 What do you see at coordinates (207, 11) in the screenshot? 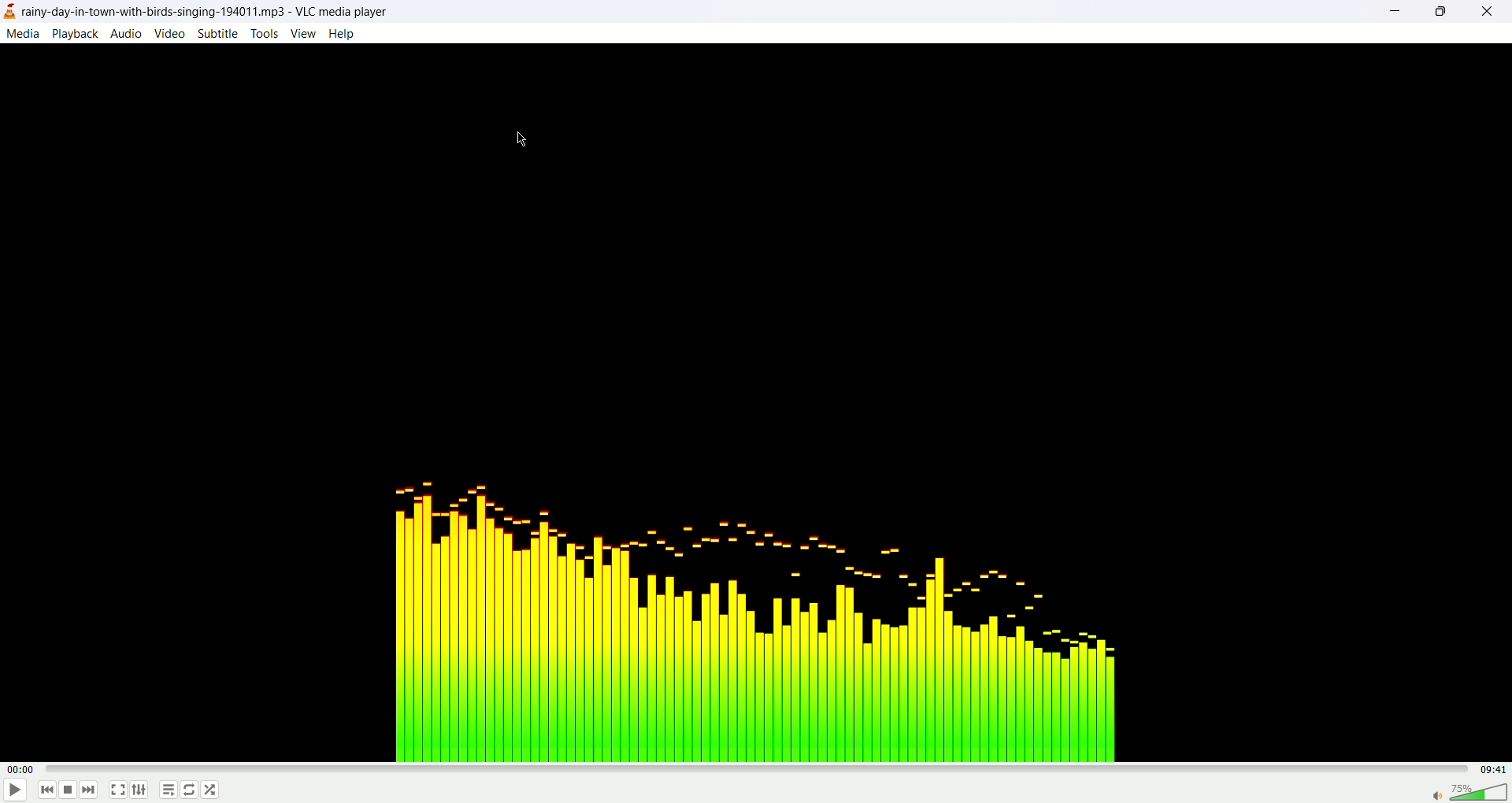
I see `rainy-day-in-town-with-birds-singing-194011.mp3-VLC media player` at bounding box center [207, 11].